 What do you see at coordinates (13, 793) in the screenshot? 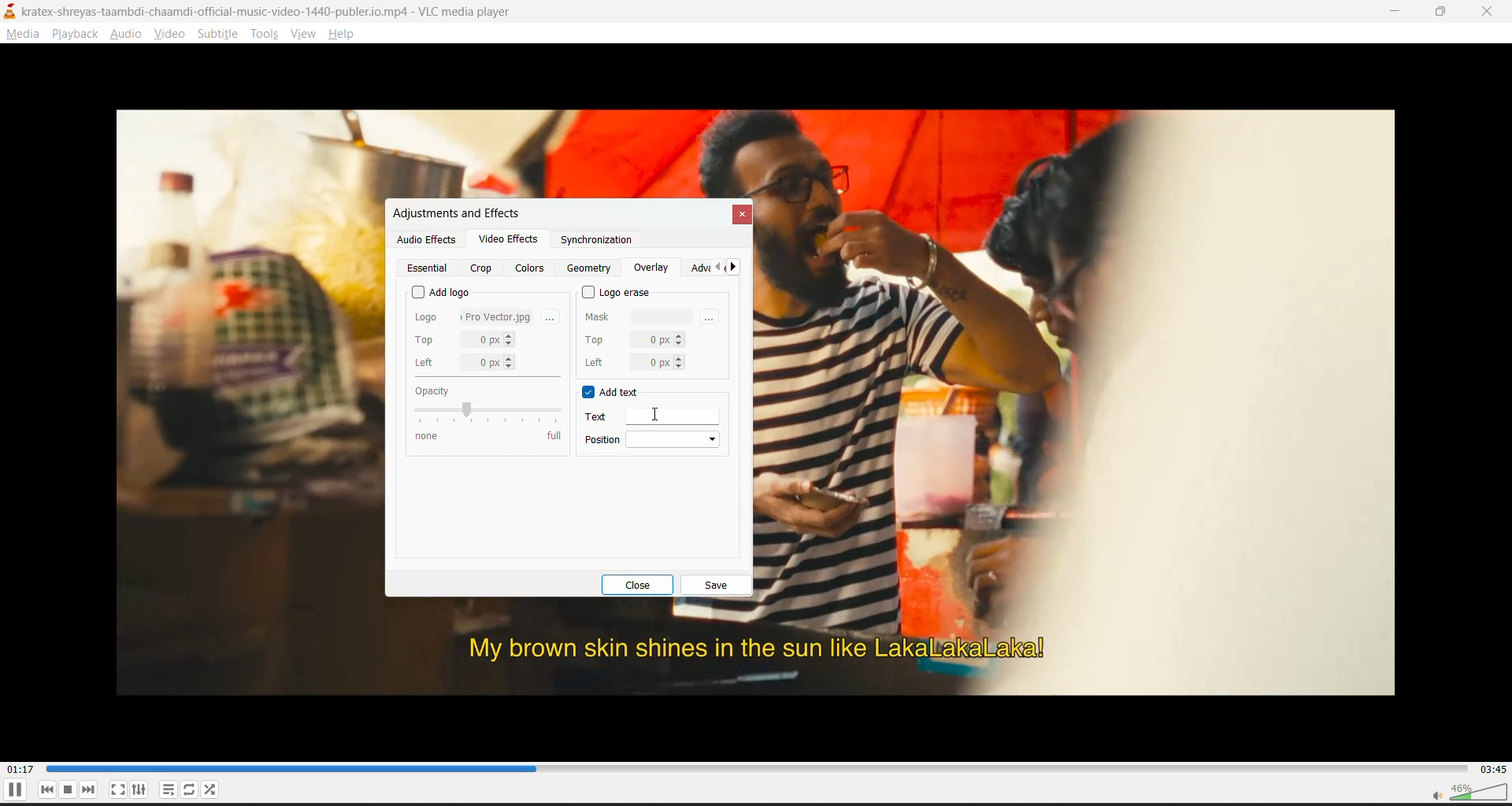
I see `pause` at bounding box center [13, 793].